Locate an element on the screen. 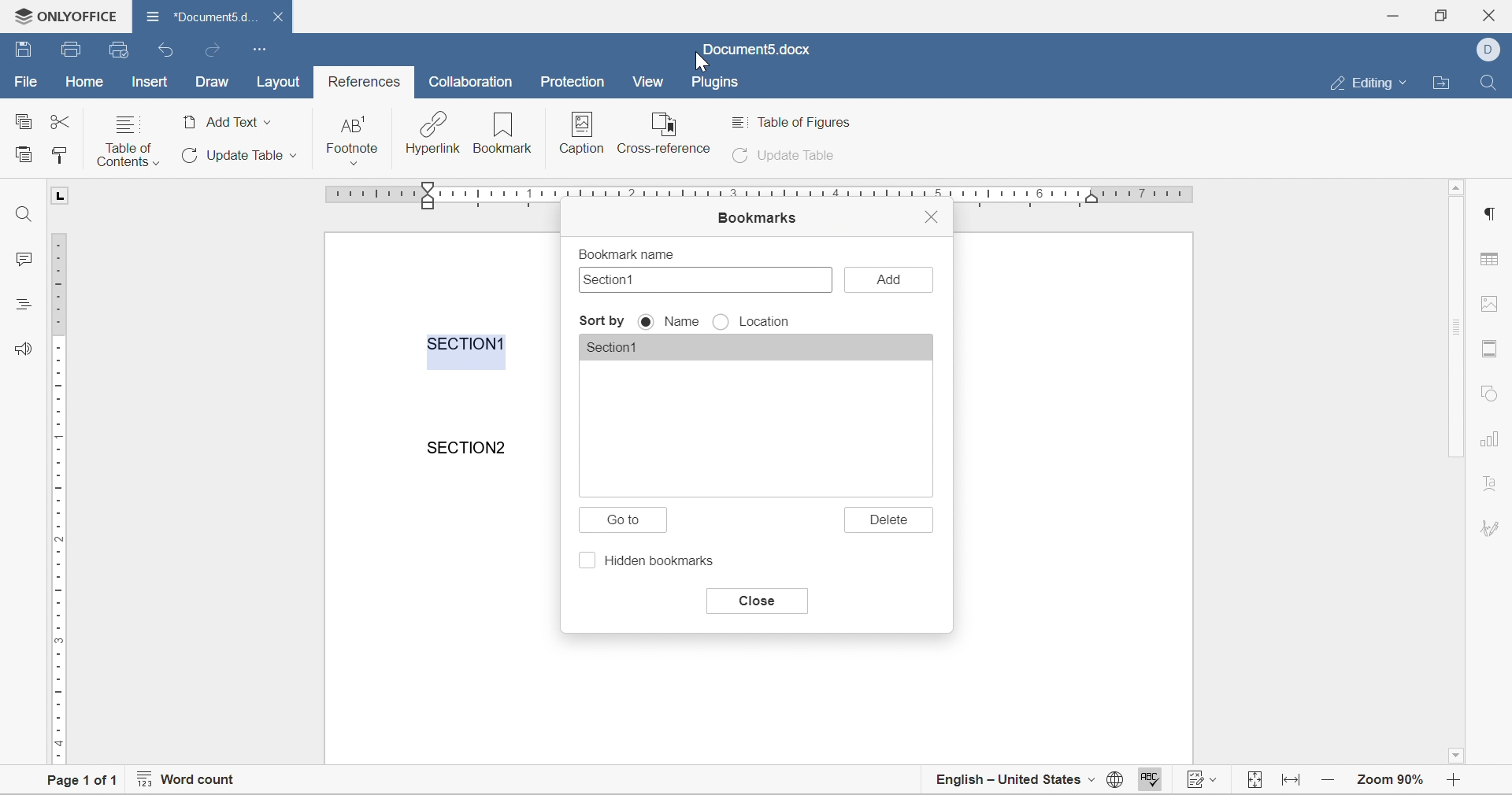 The width and height of the screenshot is (1512, 795). find is located at coordinates (24, 214).